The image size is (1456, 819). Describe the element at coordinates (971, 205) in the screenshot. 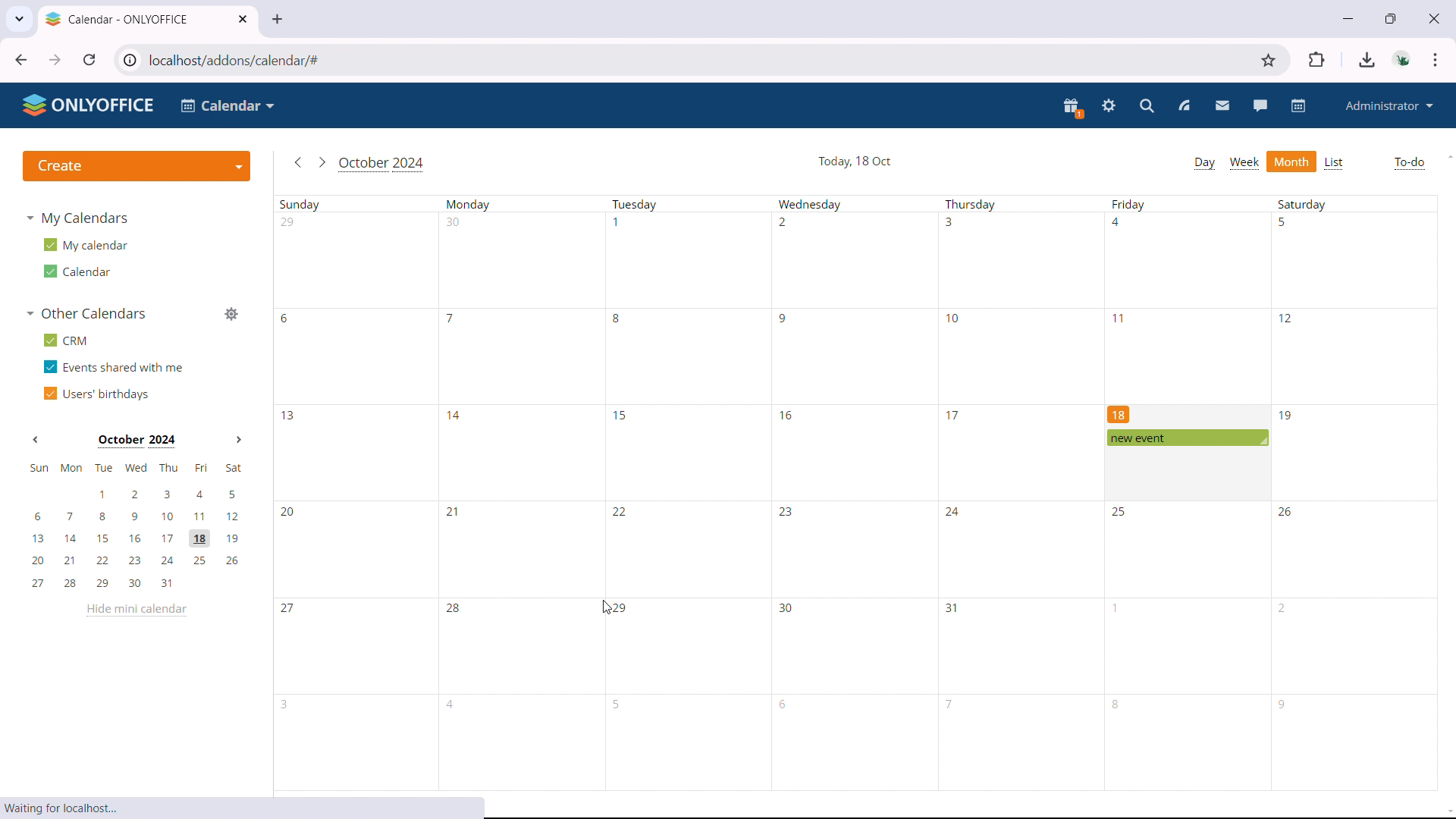

I see `Thursday` at that location.